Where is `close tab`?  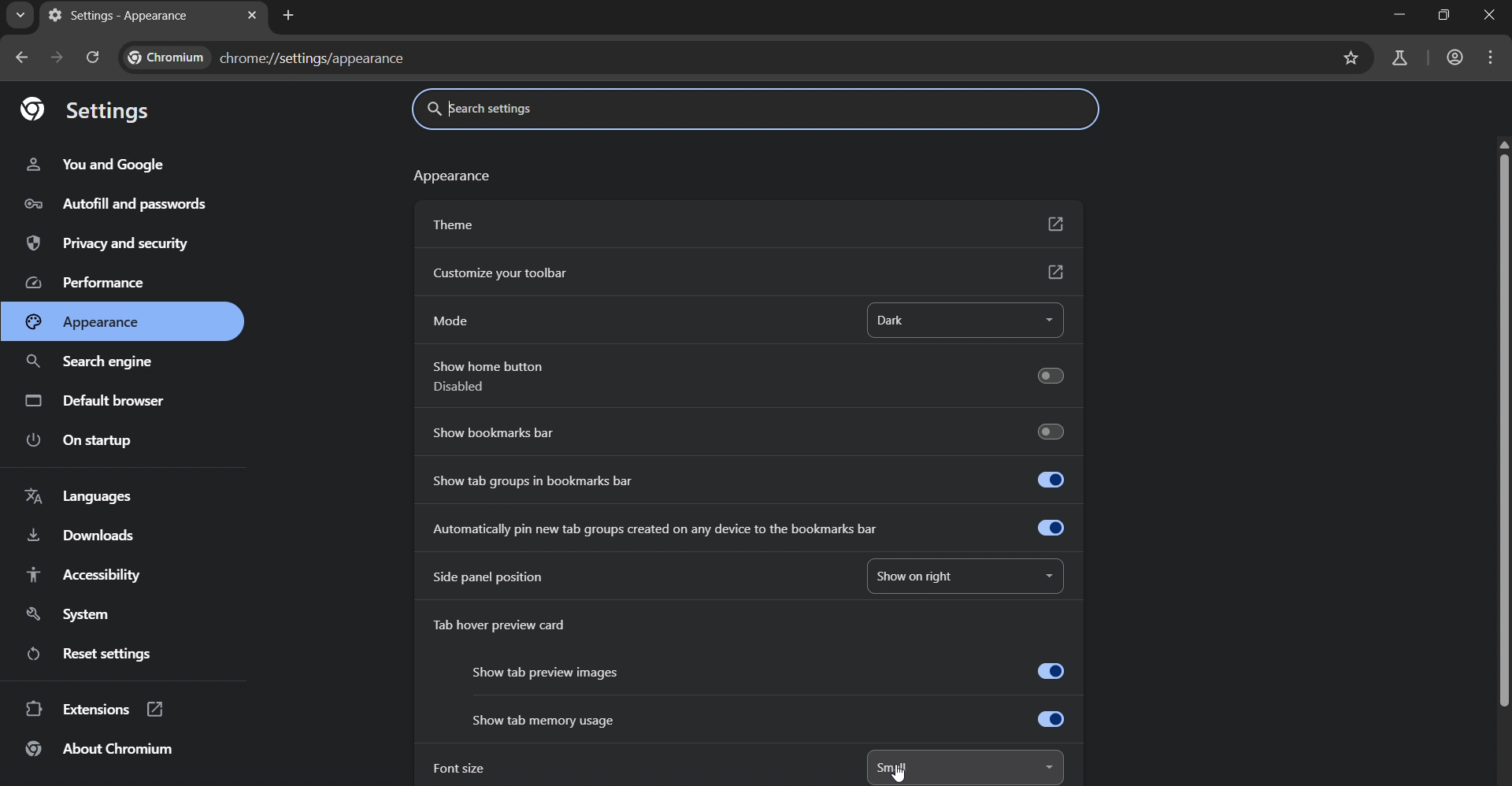
close tab is located at coordinates (252, 15).